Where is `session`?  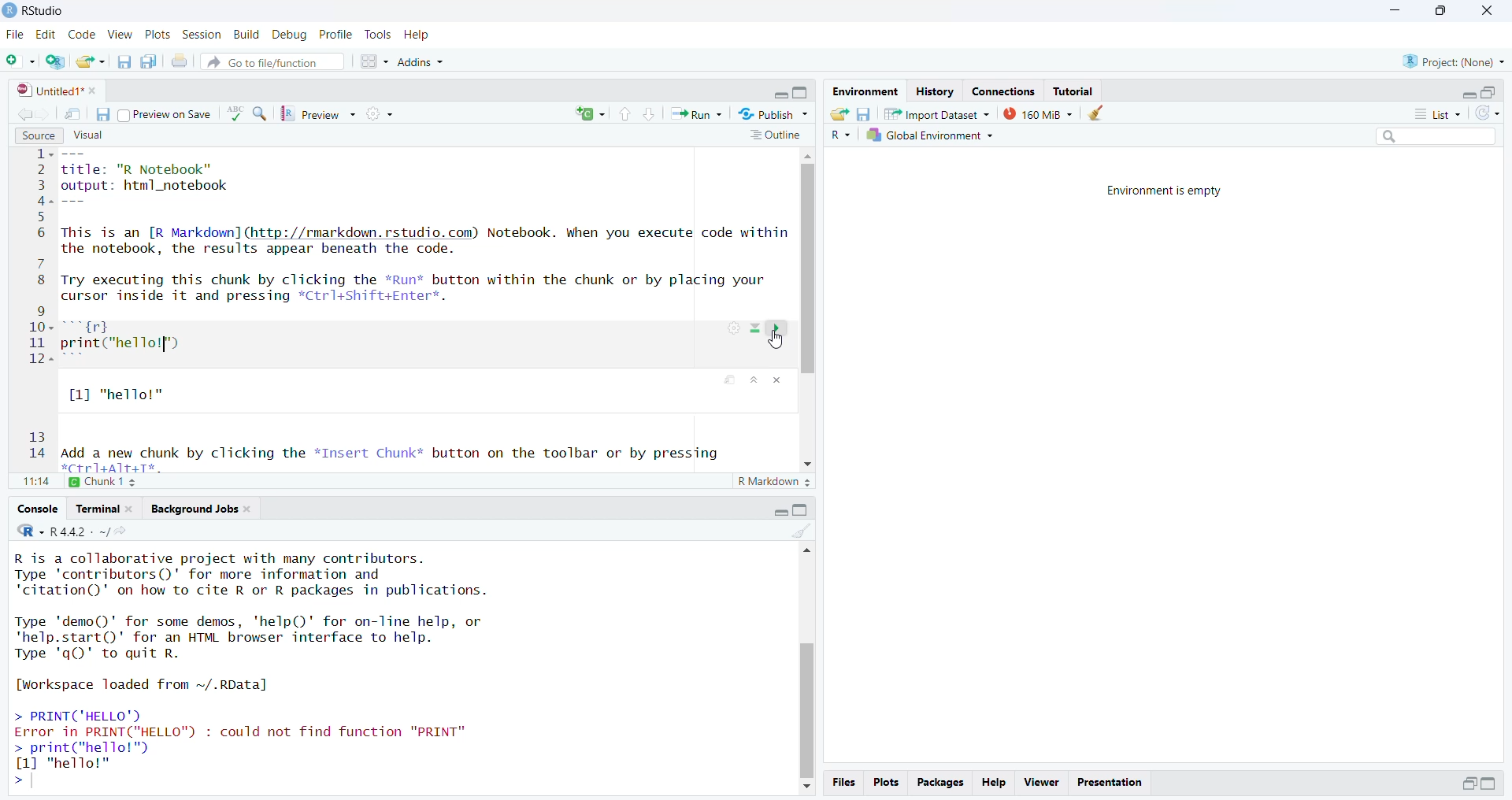 session is located at coordinates (202, 35).